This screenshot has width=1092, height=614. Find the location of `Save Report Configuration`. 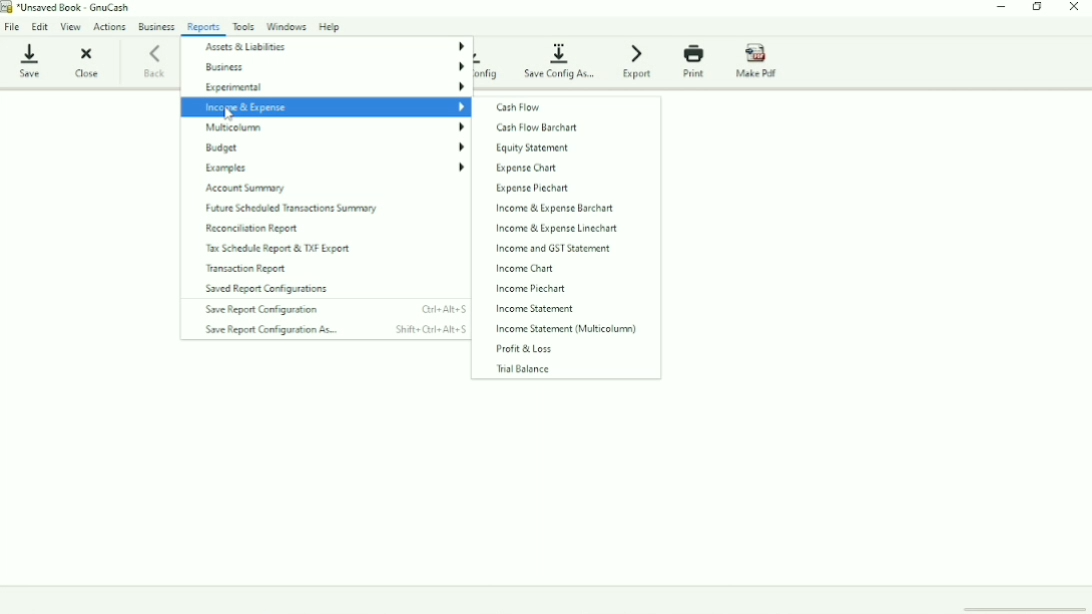

Save Report Configuration is located at coordinates (335, 309).